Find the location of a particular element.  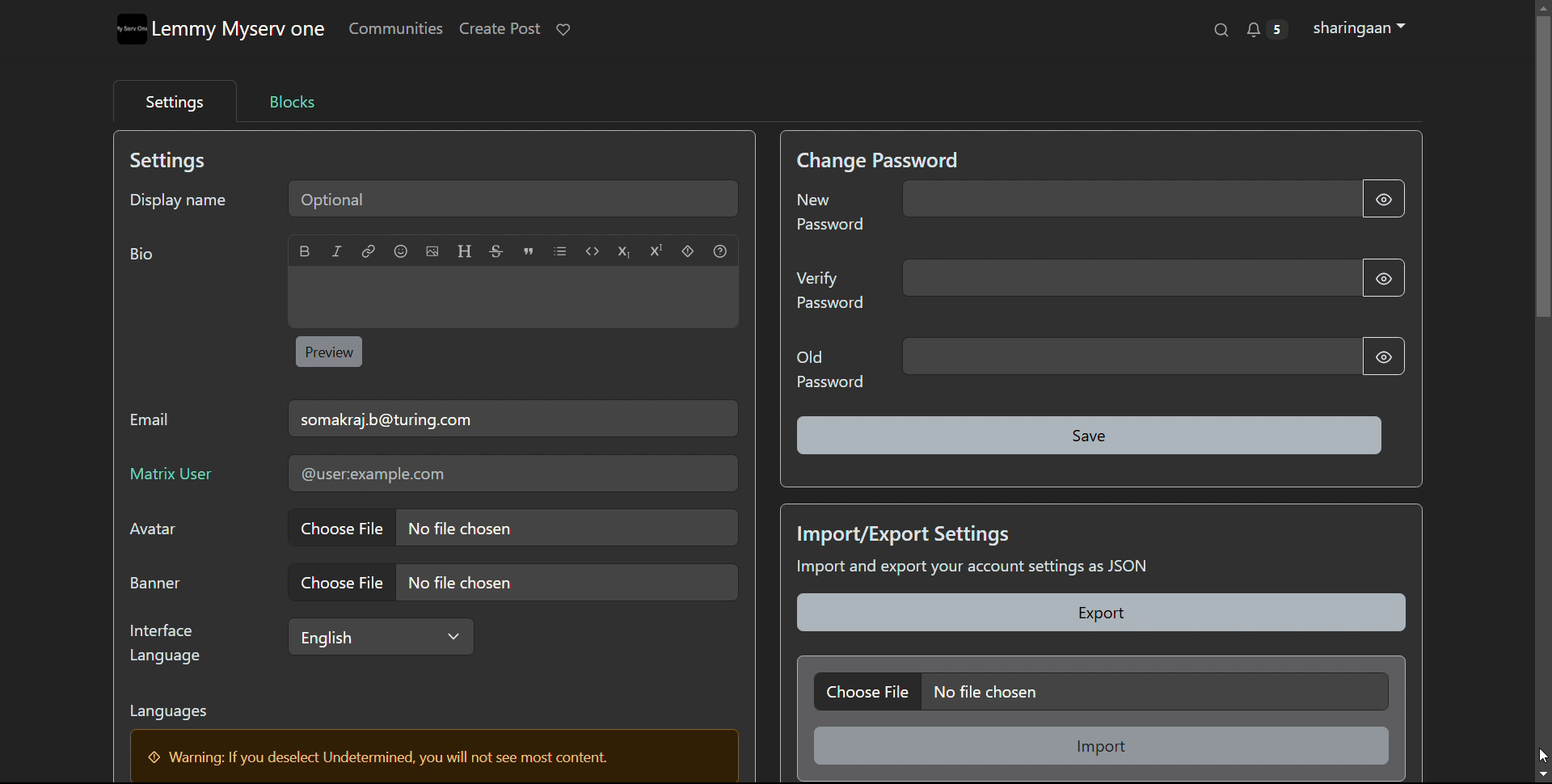

matrix user is located at coordinates (512, 474).